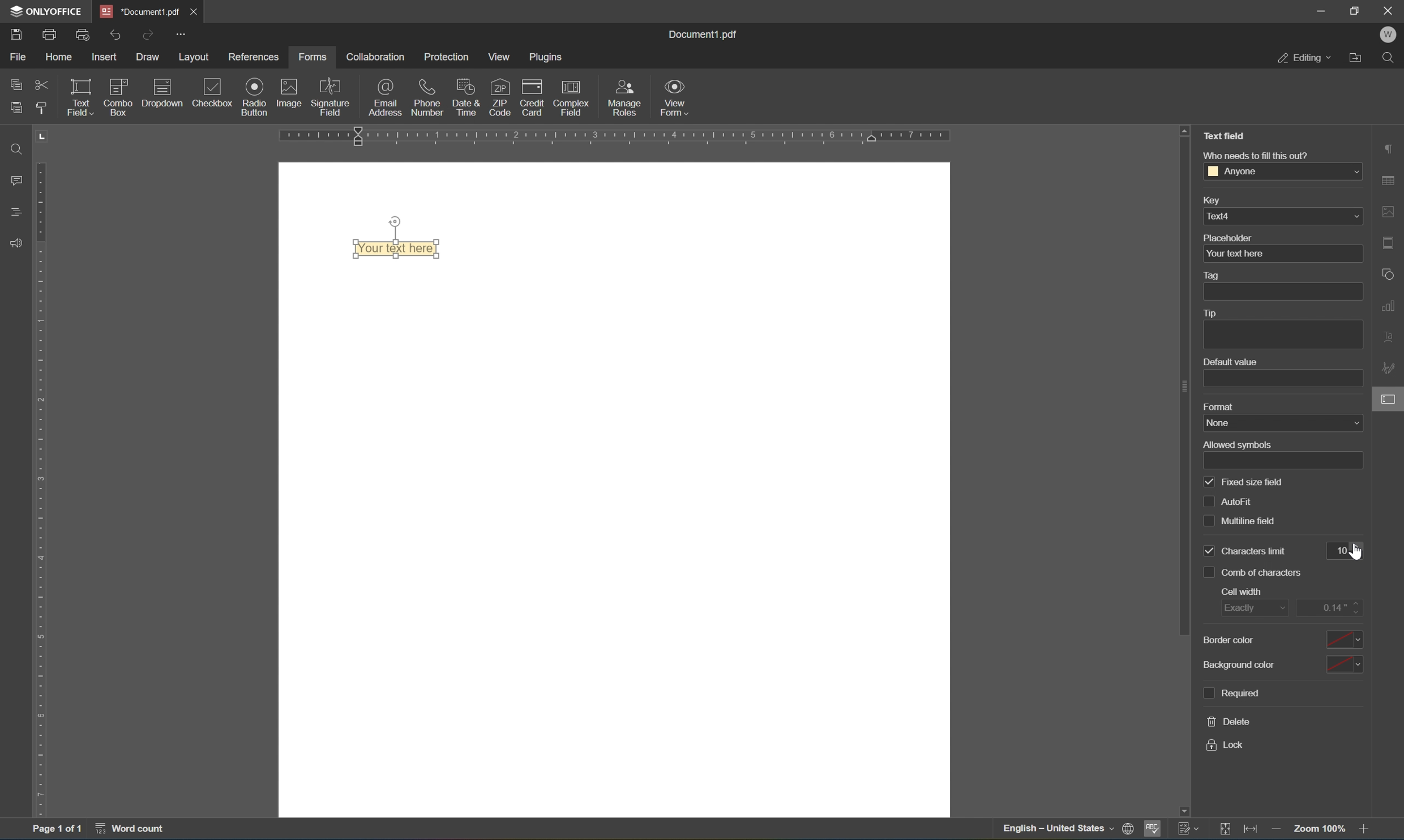 The image size is (1404, 840). Describe the element at coordinates (1307, 58) in the screenshot. I see `editing` at that location.